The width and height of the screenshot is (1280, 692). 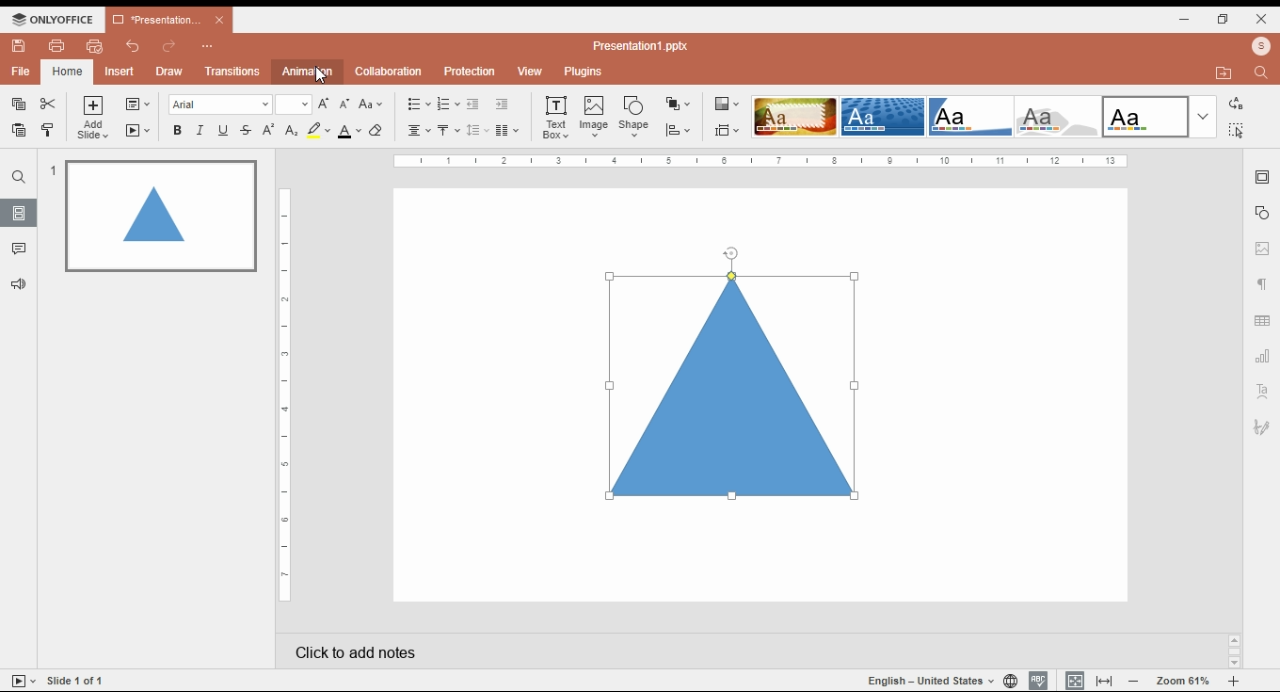 What do you see at coordinates (325, 102) in the screenshot?
I see `increment font size` at bounding box center [325, 102].